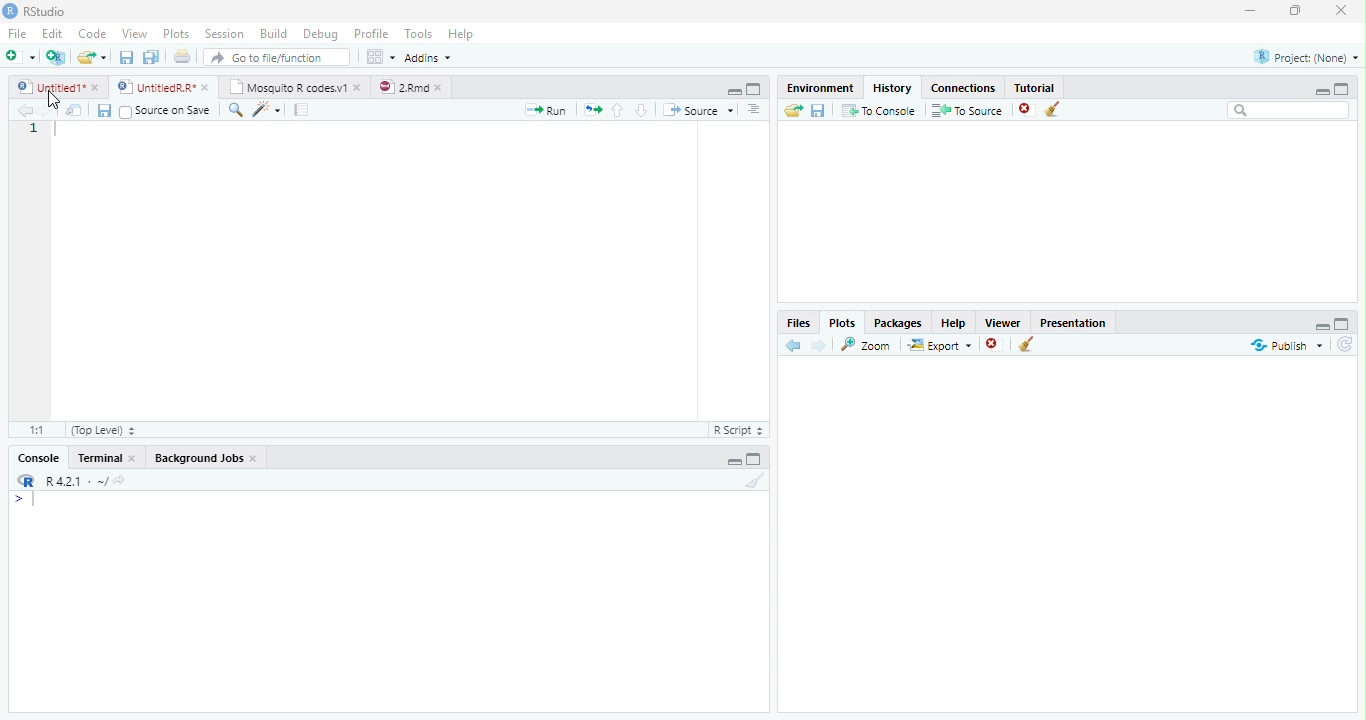 Image resolution: width=1366 pixels, height=720 pixels. Describe the element at coordinates (92, 57) in the screenshot. I see `Open an existing file` at that location.